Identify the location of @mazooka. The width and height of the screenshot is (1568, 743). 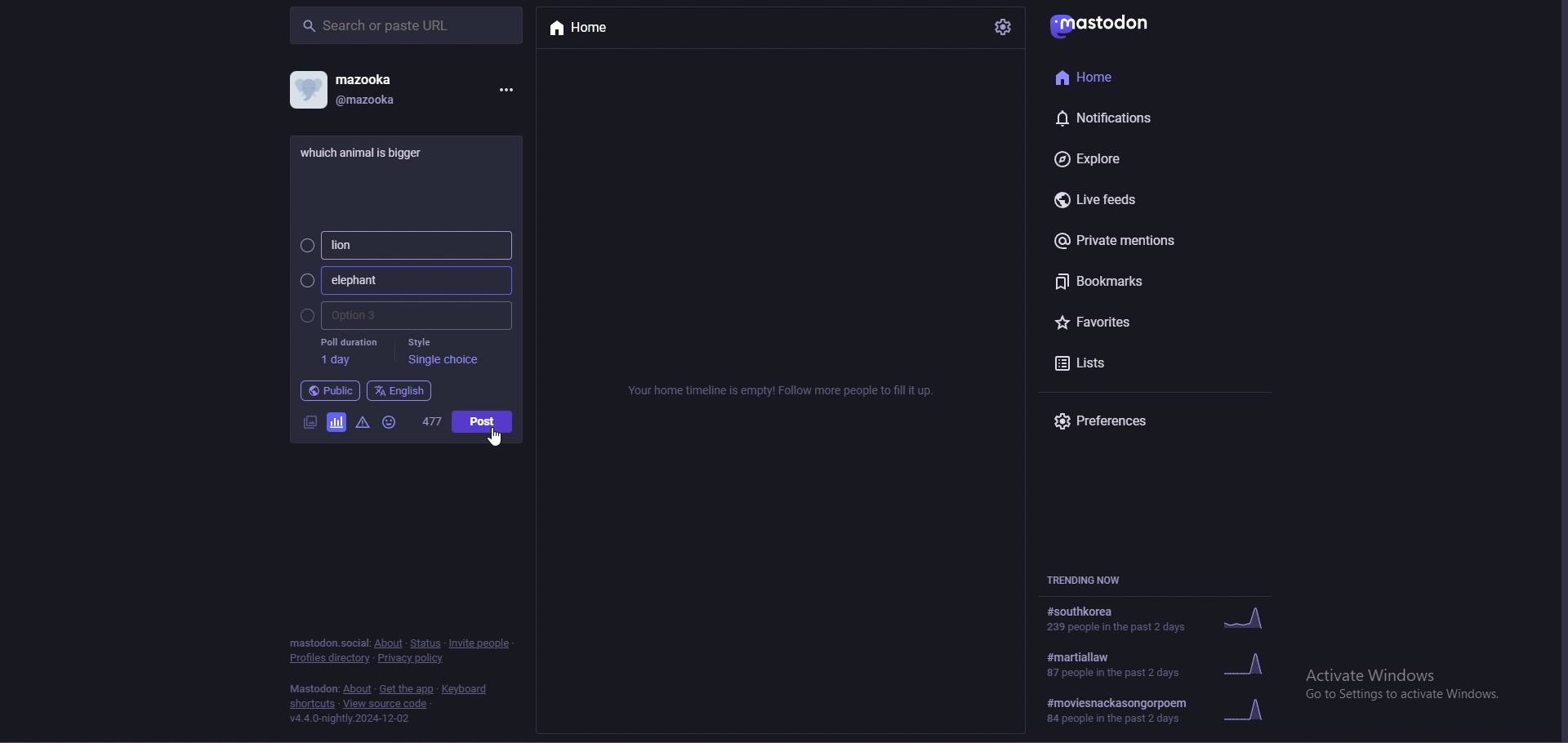
(371, 100).